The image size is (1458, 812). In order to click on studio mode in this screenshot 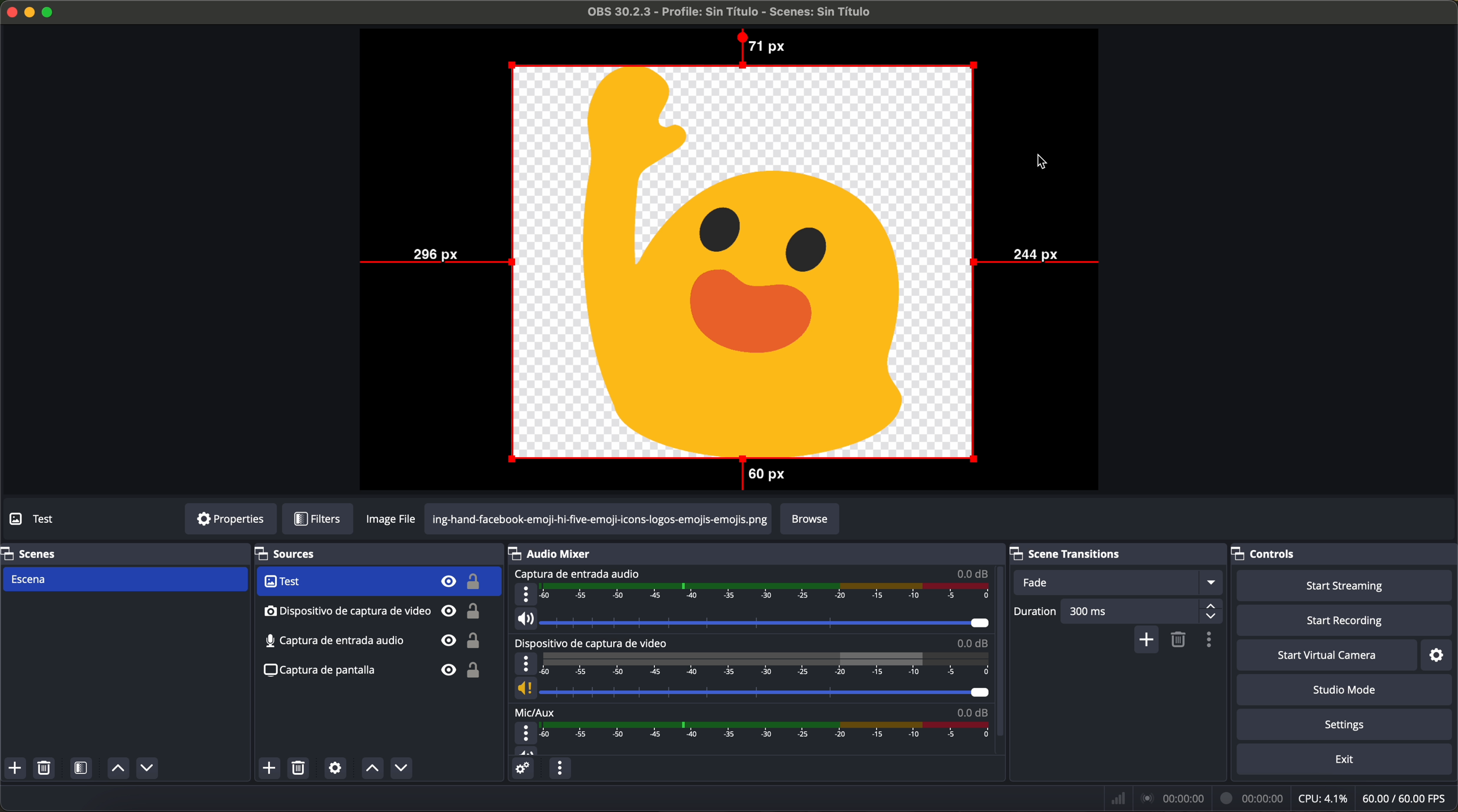, I will do `click(1345, 690)`.